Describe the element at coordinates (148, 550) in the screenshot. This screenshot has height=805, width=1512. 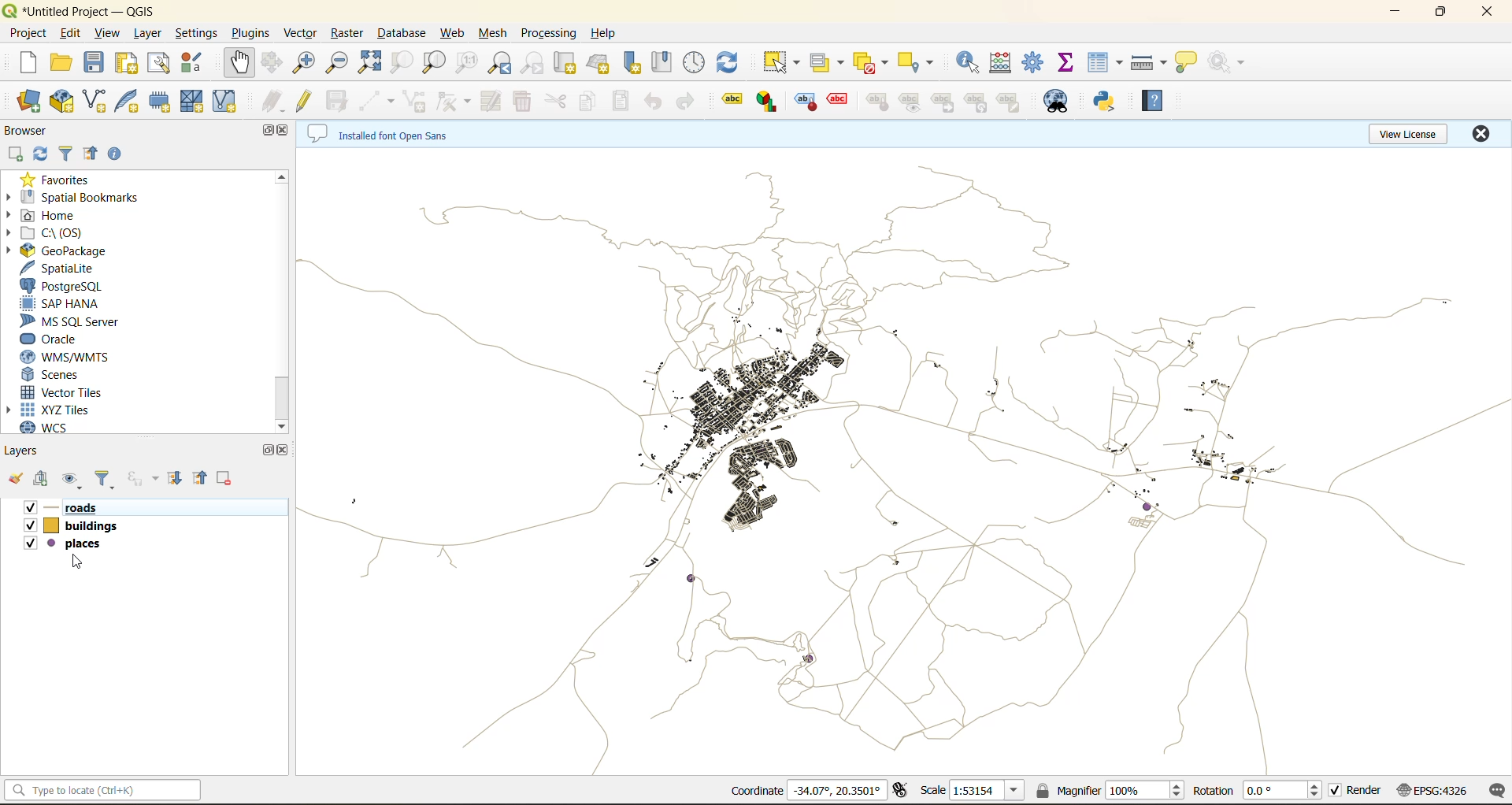
I see `place ` at that location.